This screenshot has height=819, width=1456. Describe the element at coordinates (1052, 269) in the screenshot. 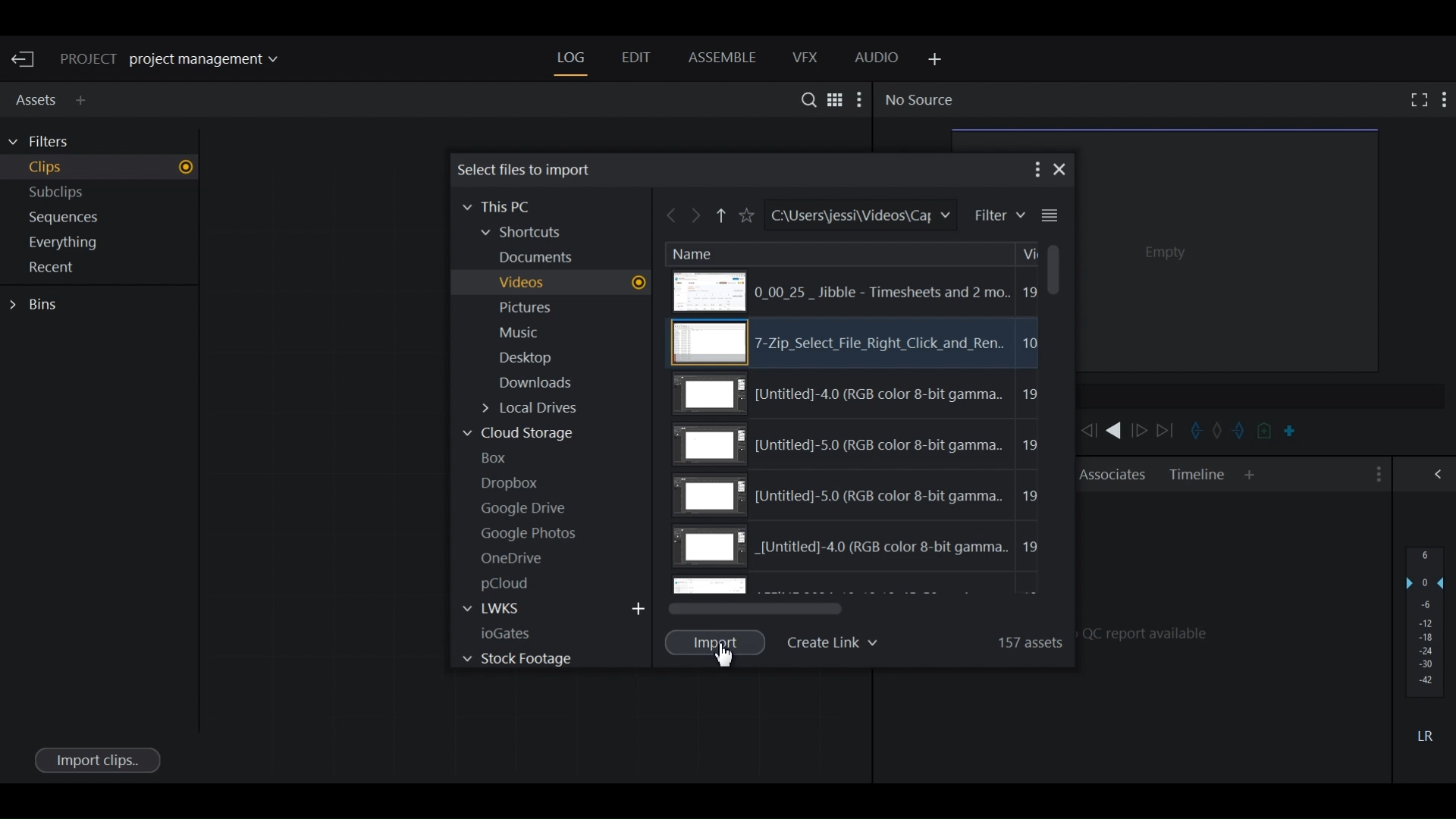

I see `Vertical Scroll bar` at that location.